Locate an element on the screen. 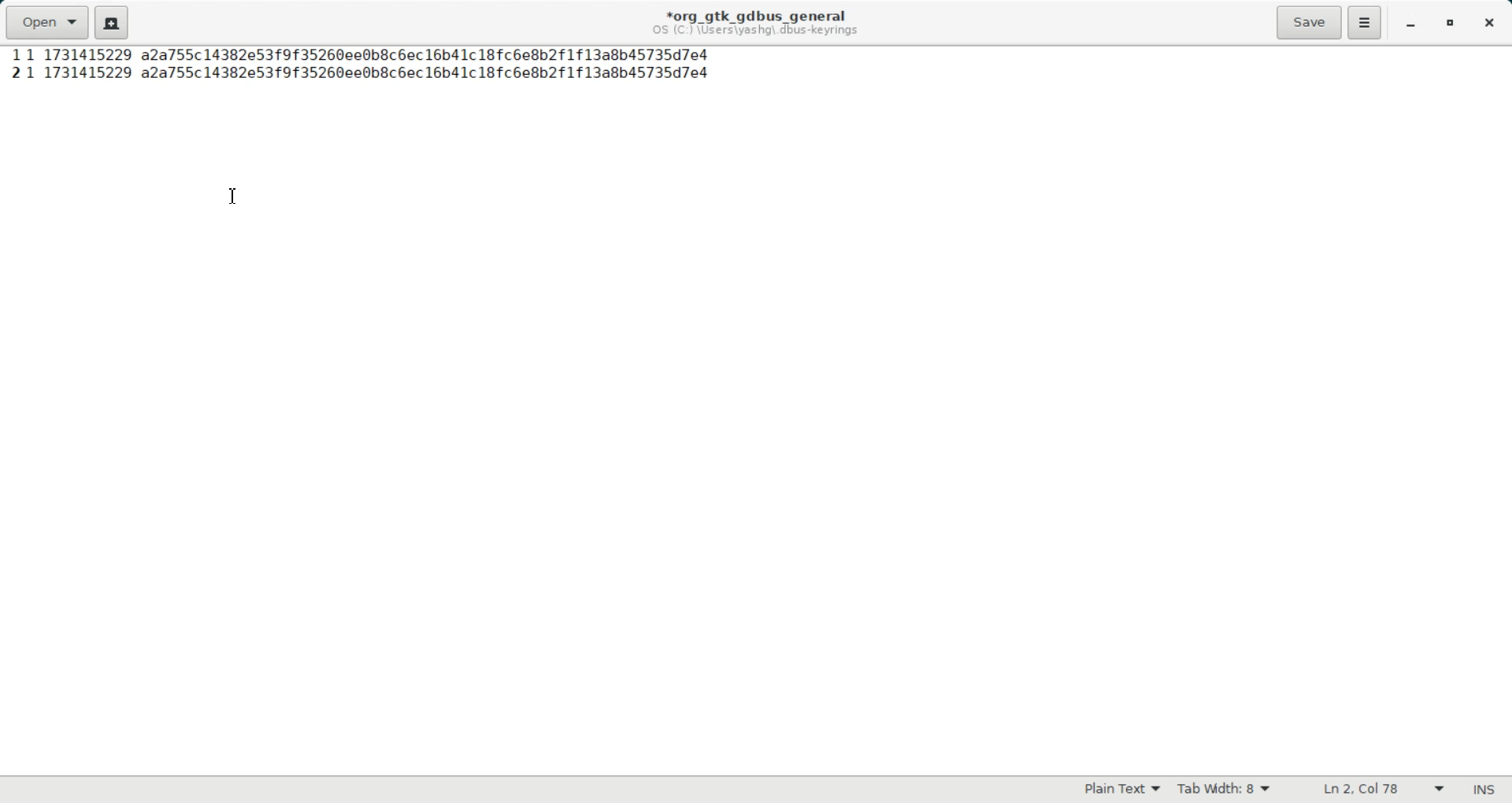 This screenshot has height=803, width=1512. Minimize is located at coordinates (1410, 24).